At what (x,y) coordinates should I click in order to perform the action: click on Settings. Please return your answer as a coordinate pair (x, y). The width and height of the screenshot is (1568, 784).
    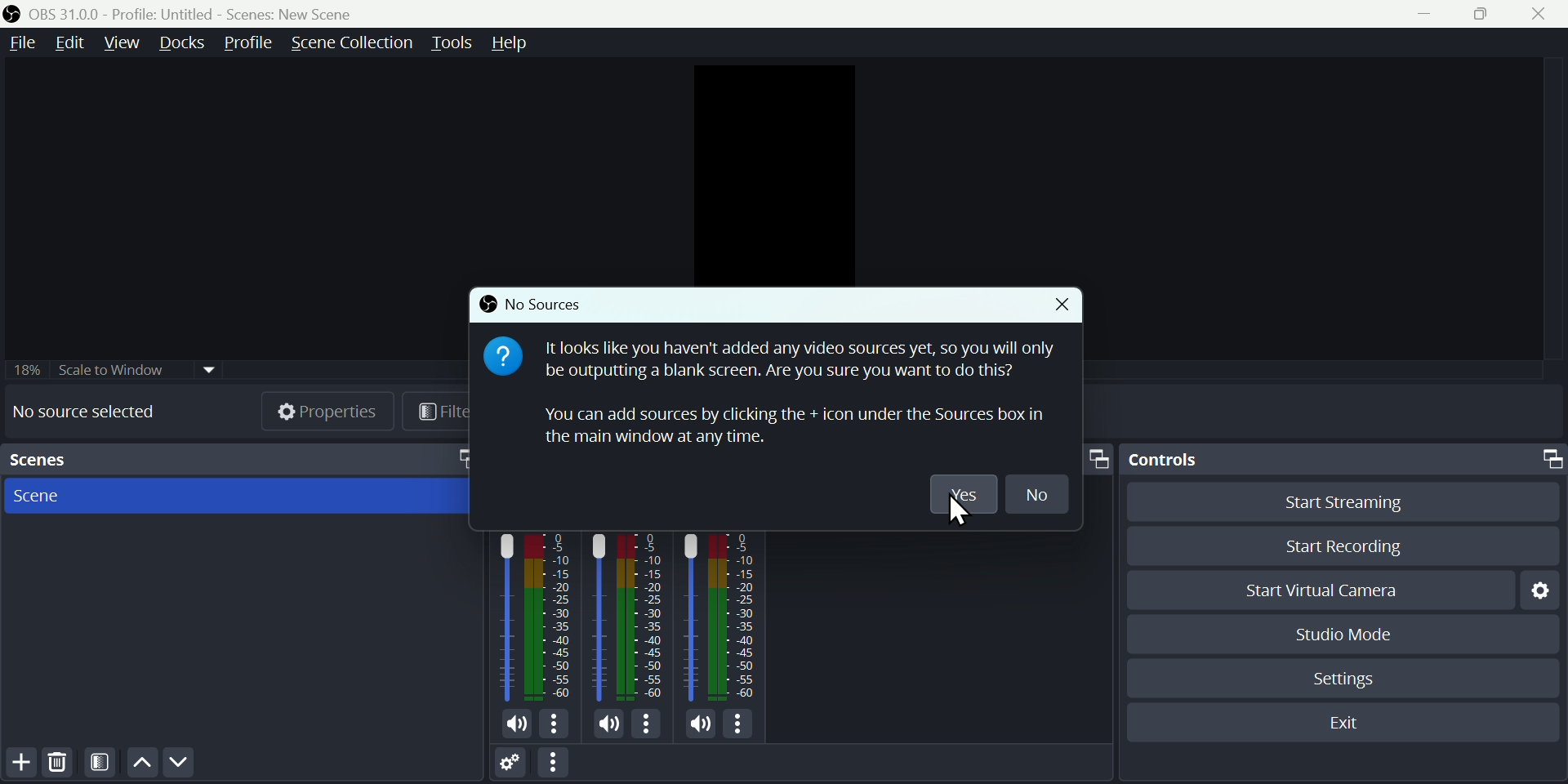
    Looking at the image, I should click on (1539, 590).